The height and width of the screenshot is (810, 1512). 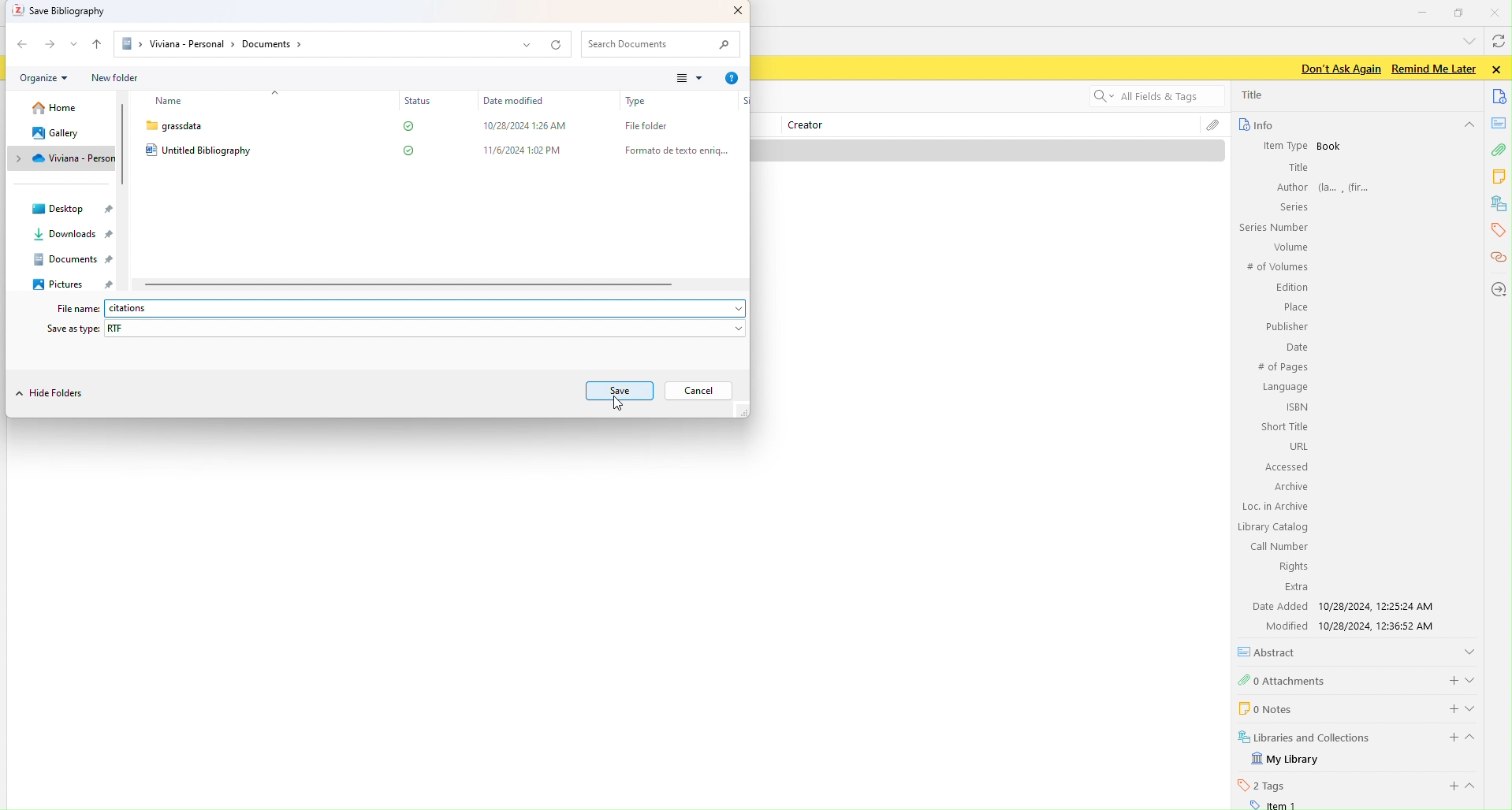 I want to click on fa, fr, so click(x=1349, y=186).